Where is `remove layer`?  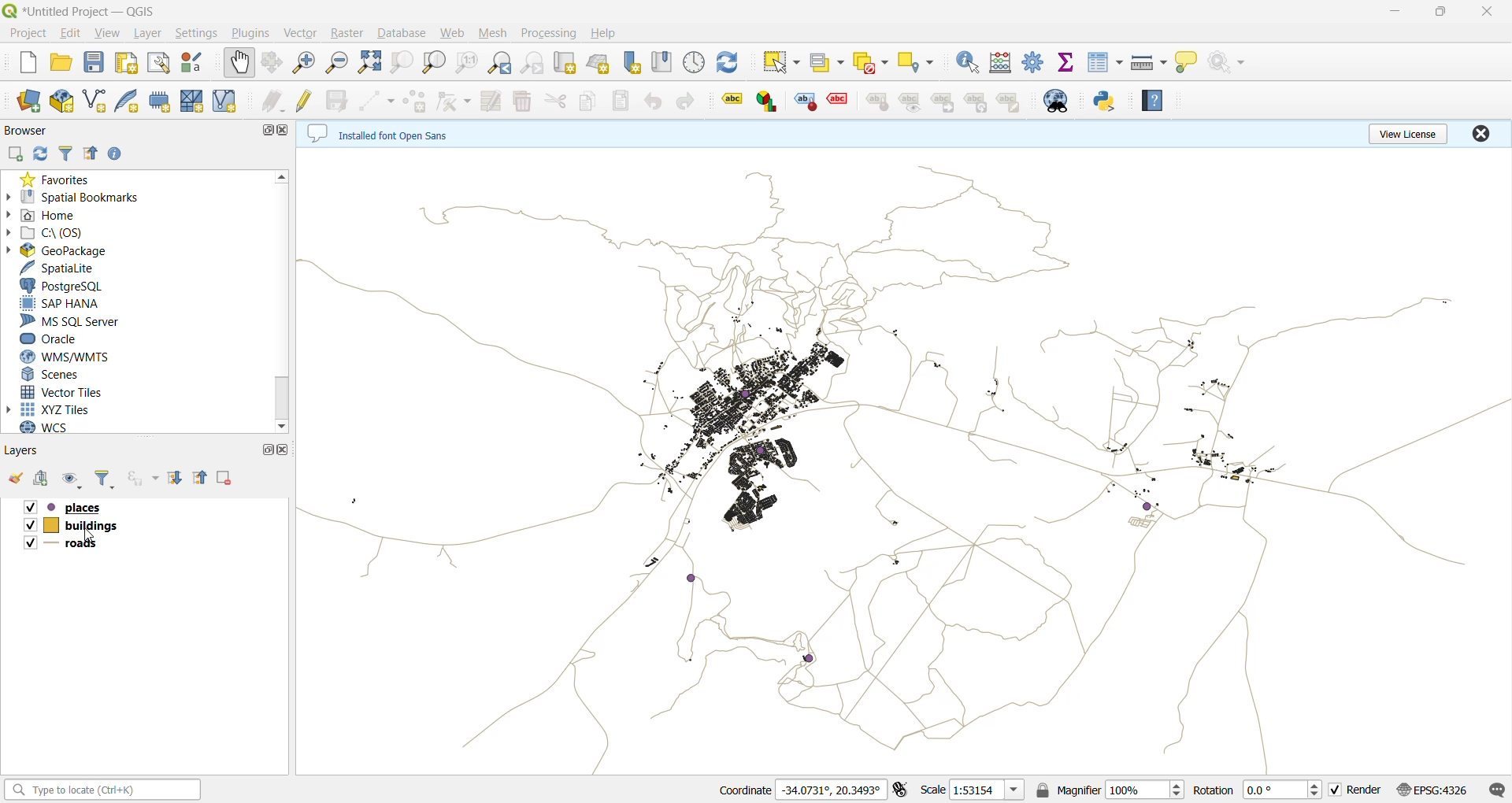
remove layer is located at coordinates (223, 475).